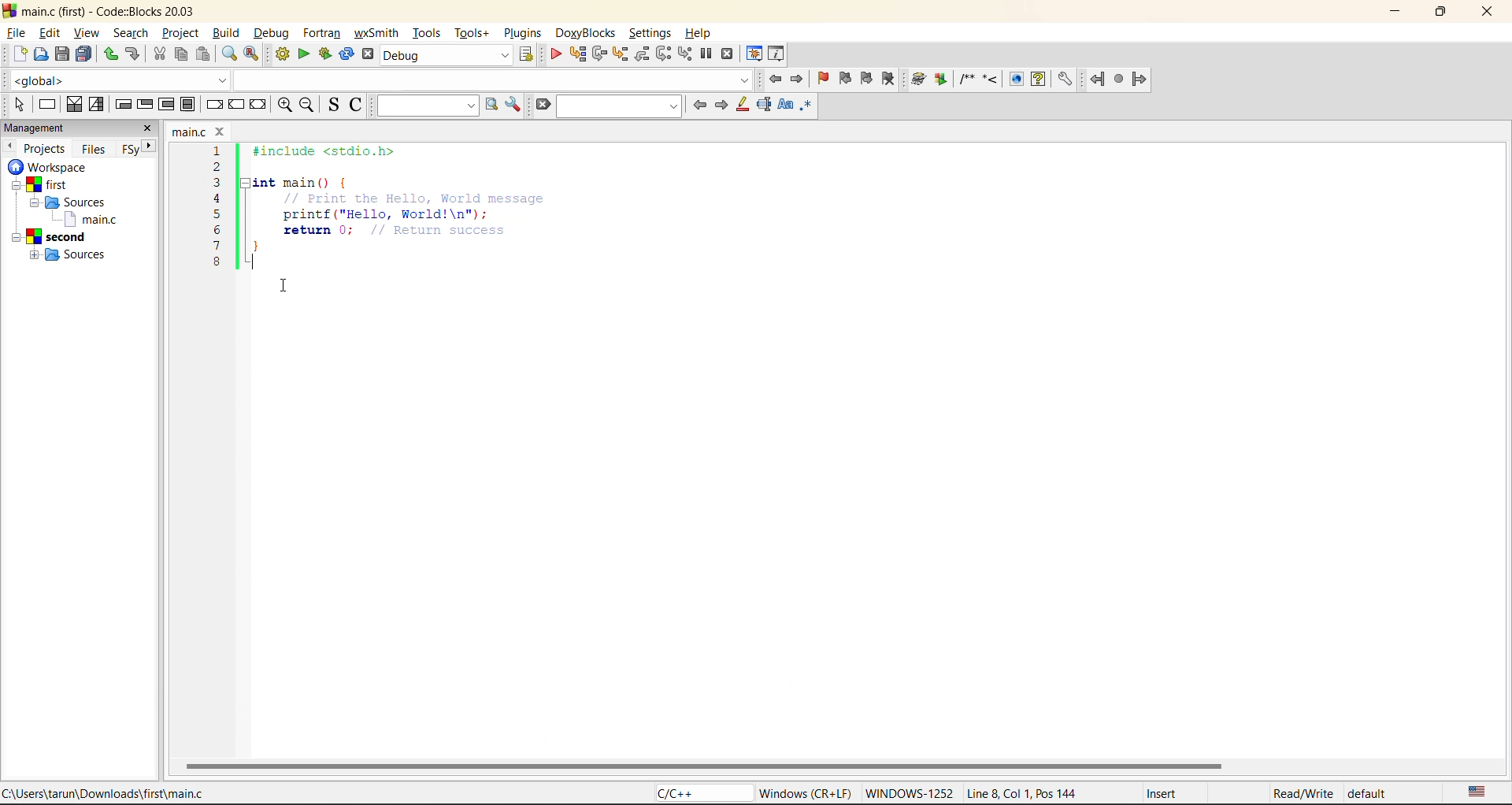  What do you see at coordinates (61, 53) in the screenshot?
I see `save` at bounding box center [61, 53].